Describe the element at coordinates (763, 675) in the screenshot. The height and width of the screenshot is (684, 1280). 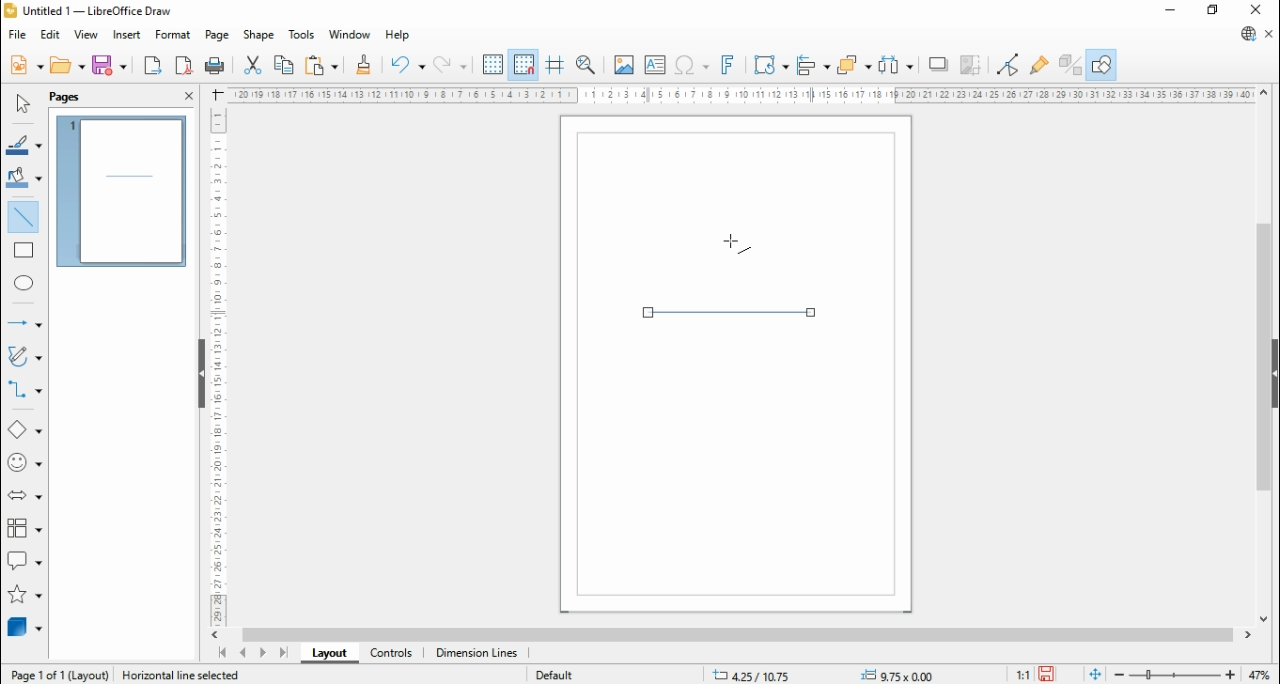
I see `-21.10/14.59` at that location.